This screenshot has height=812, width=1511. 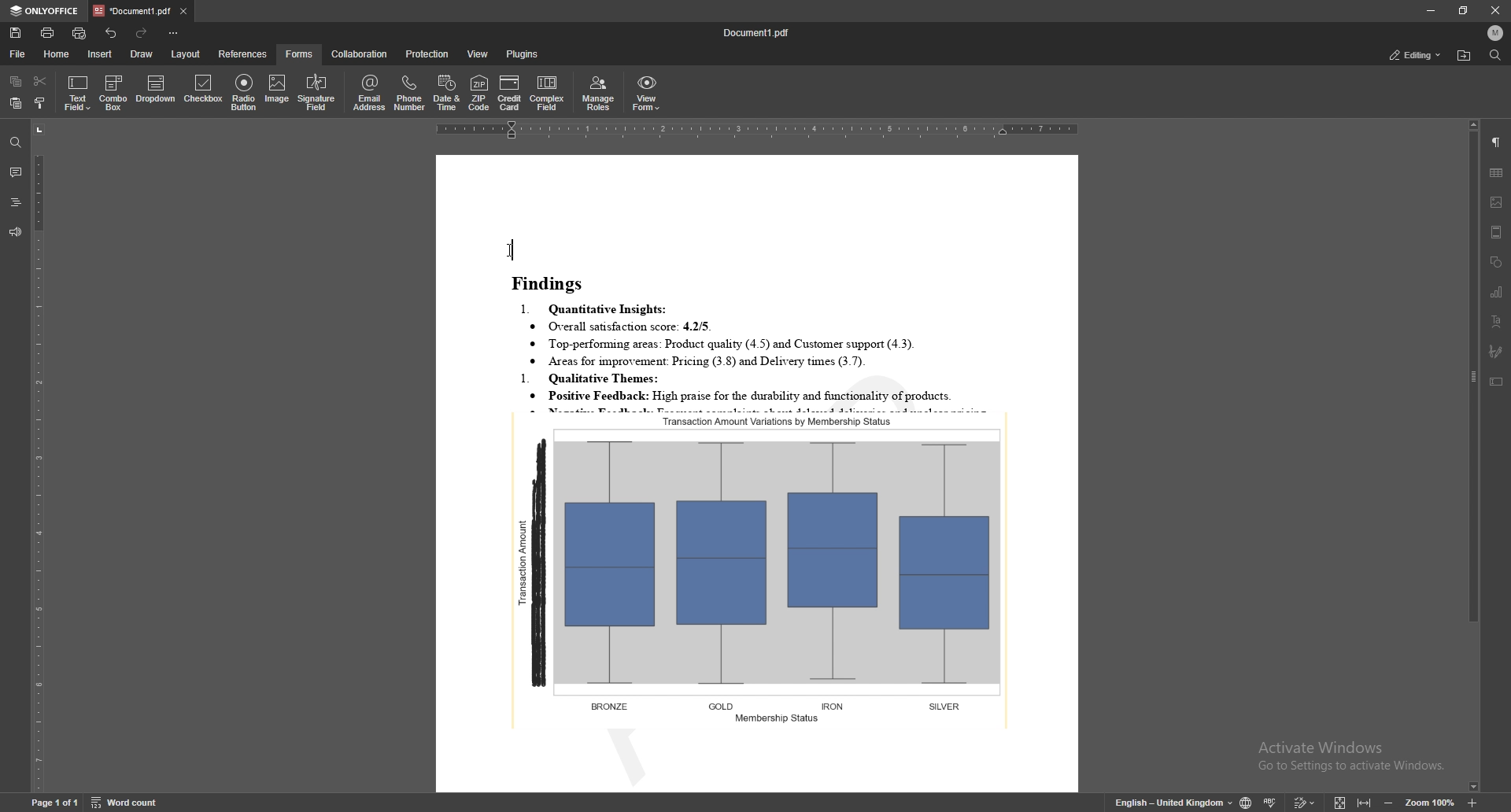 I want to click on complex field, so click(x=549, y=94).